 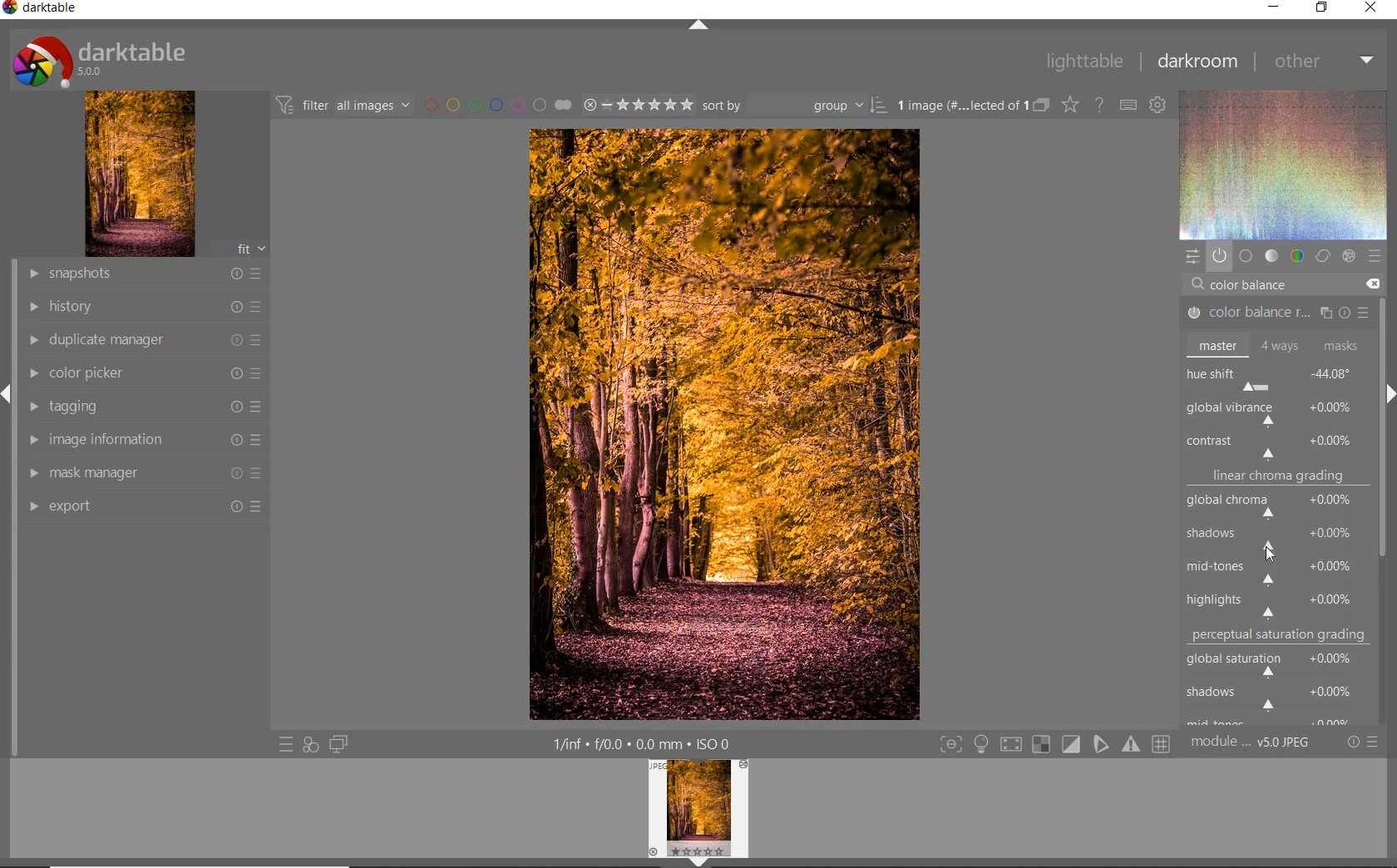 I want to click on DELETE, so click(x=1372, y=284).